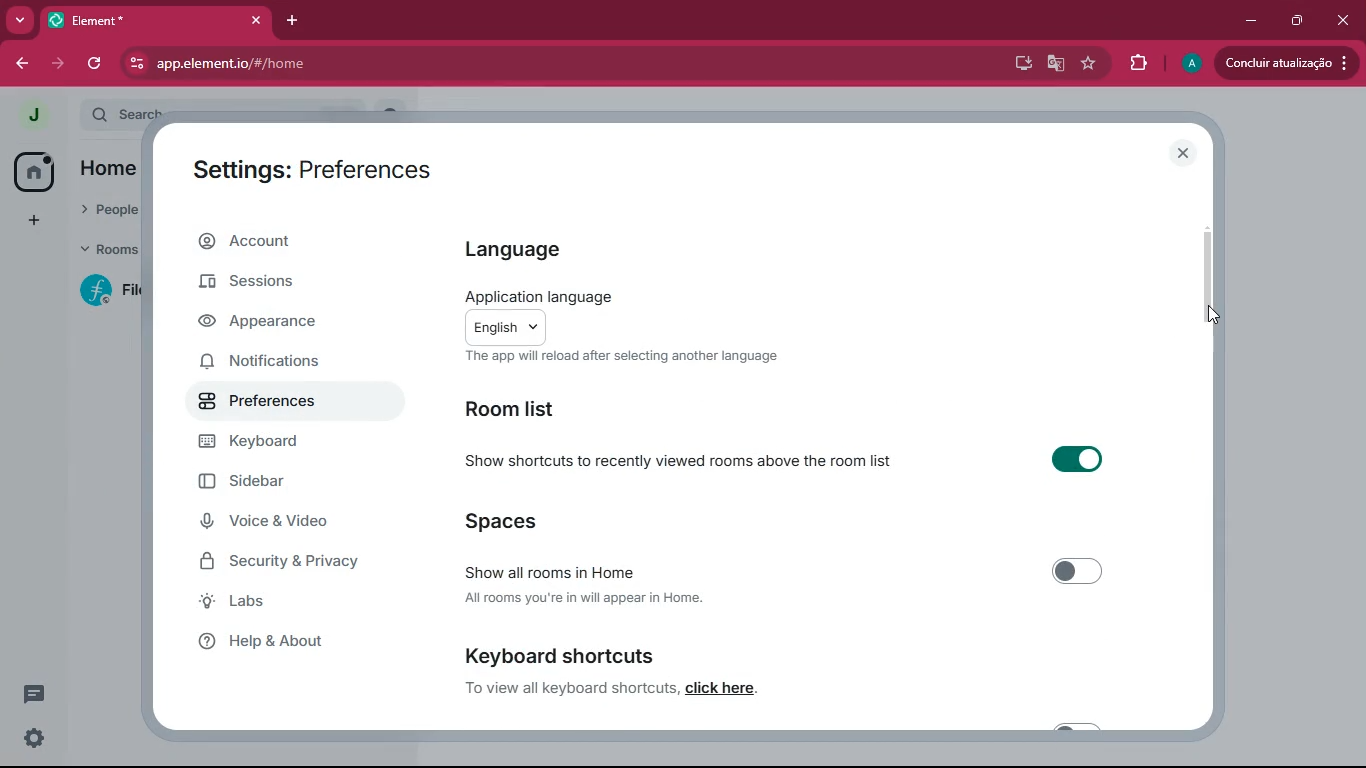  I want to click on preferences, so click(268, 404).